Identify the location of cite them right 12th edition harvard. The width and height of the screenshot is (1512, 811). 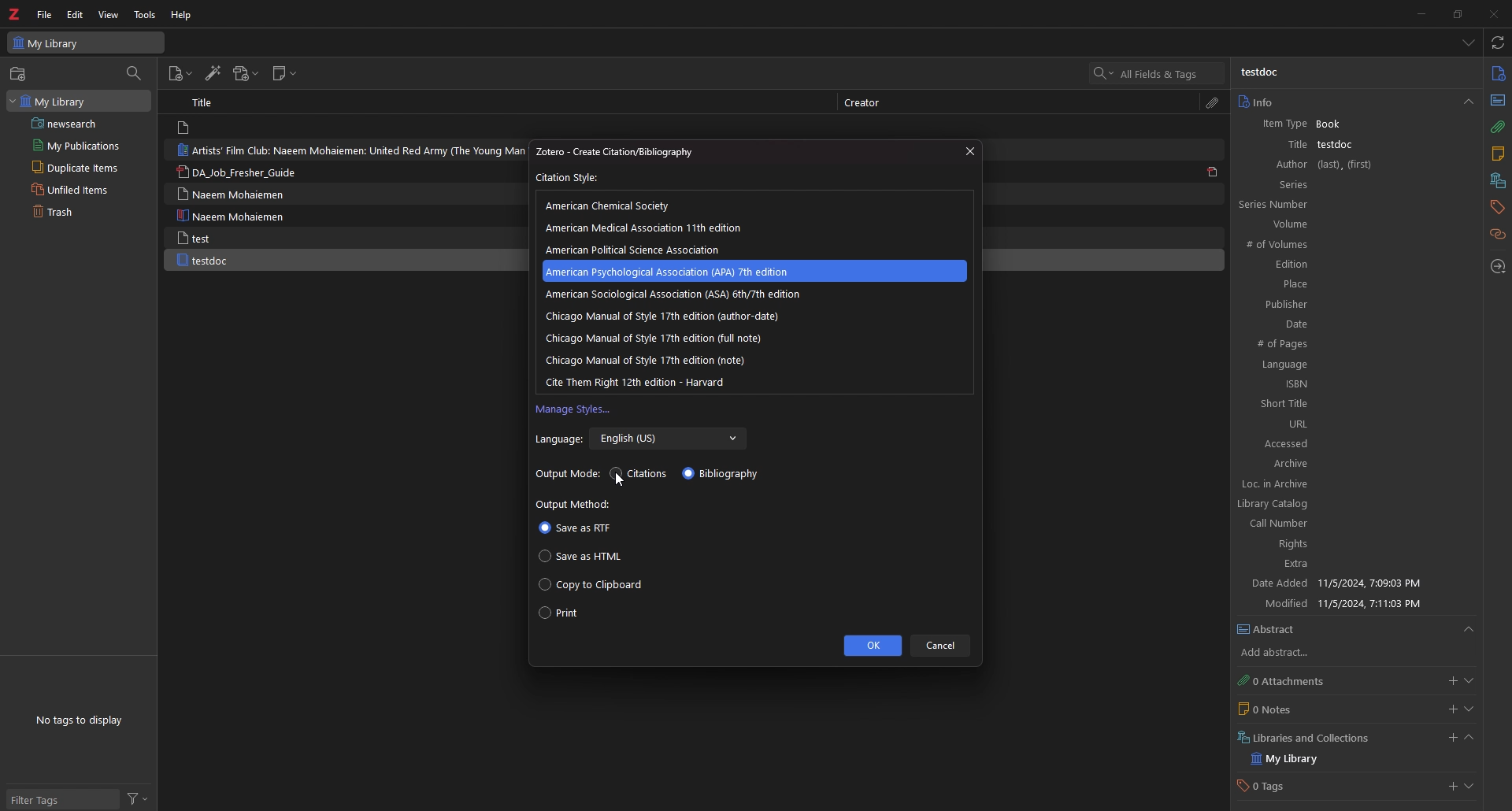
(639, 381).